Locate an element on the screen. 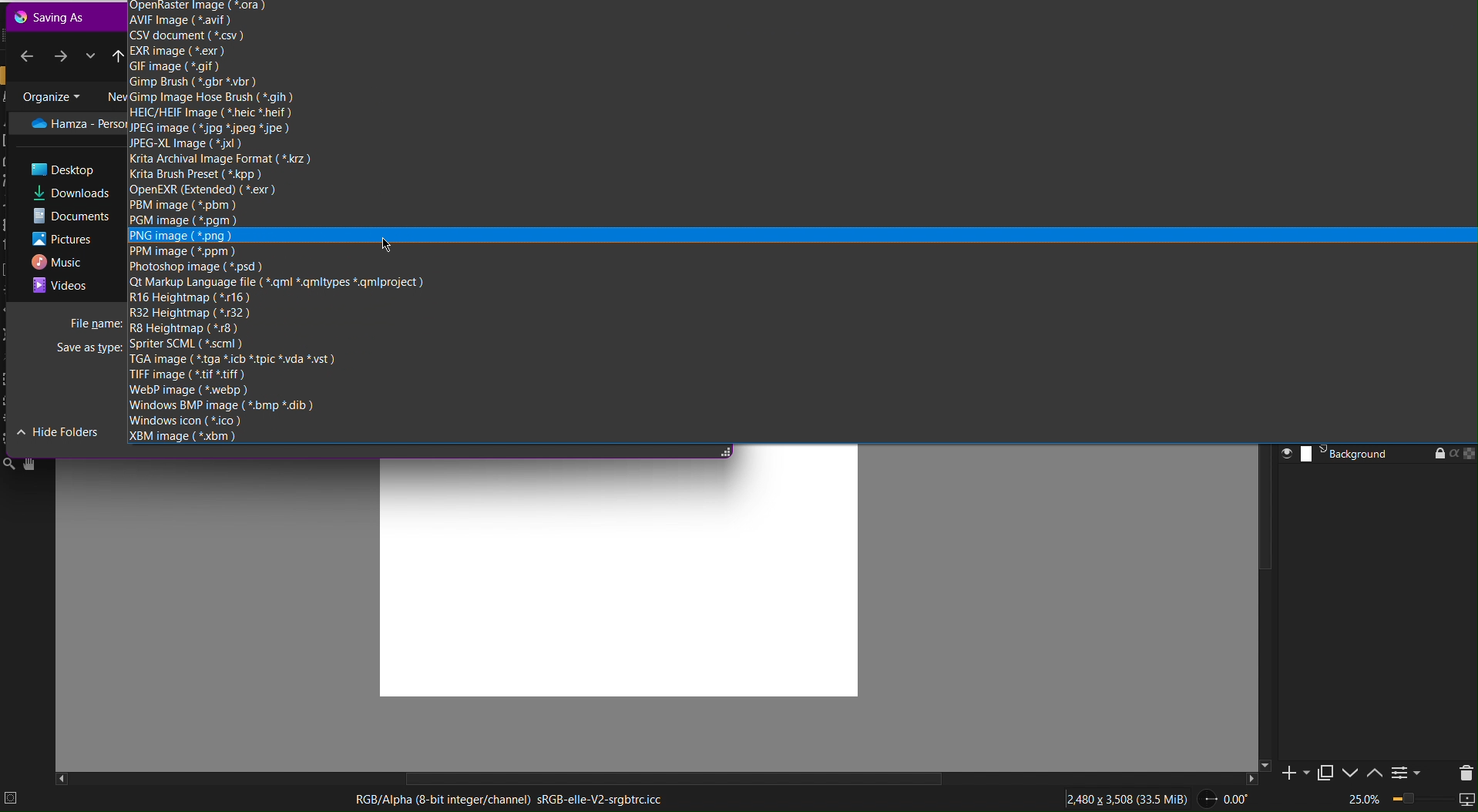 The width and height of the screenshot is (1478, 812). Back is located at coordinates (27, 54).